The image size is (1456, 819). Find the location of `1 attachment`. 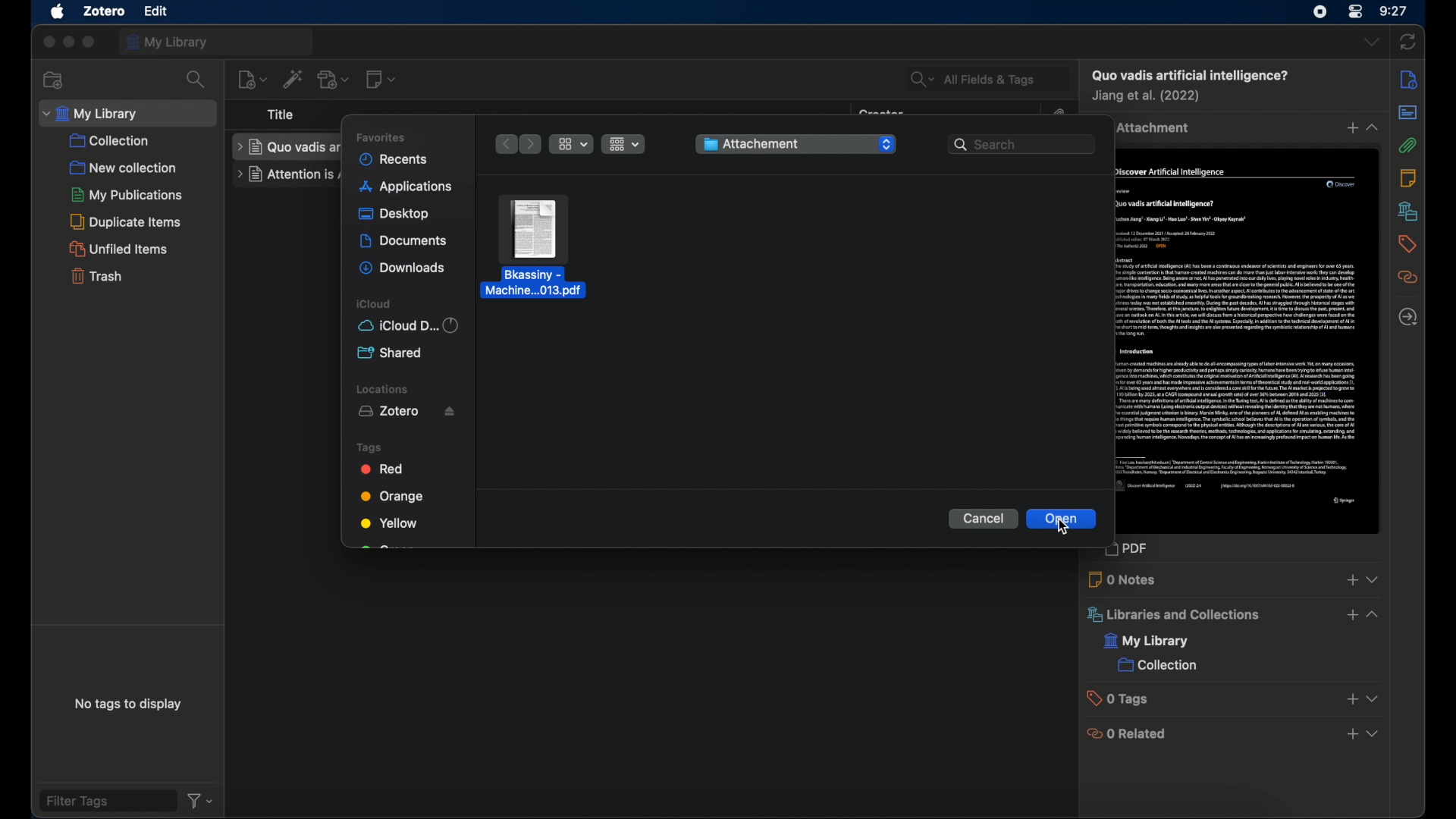

1 attachment is located at coordinates (1155, 128).